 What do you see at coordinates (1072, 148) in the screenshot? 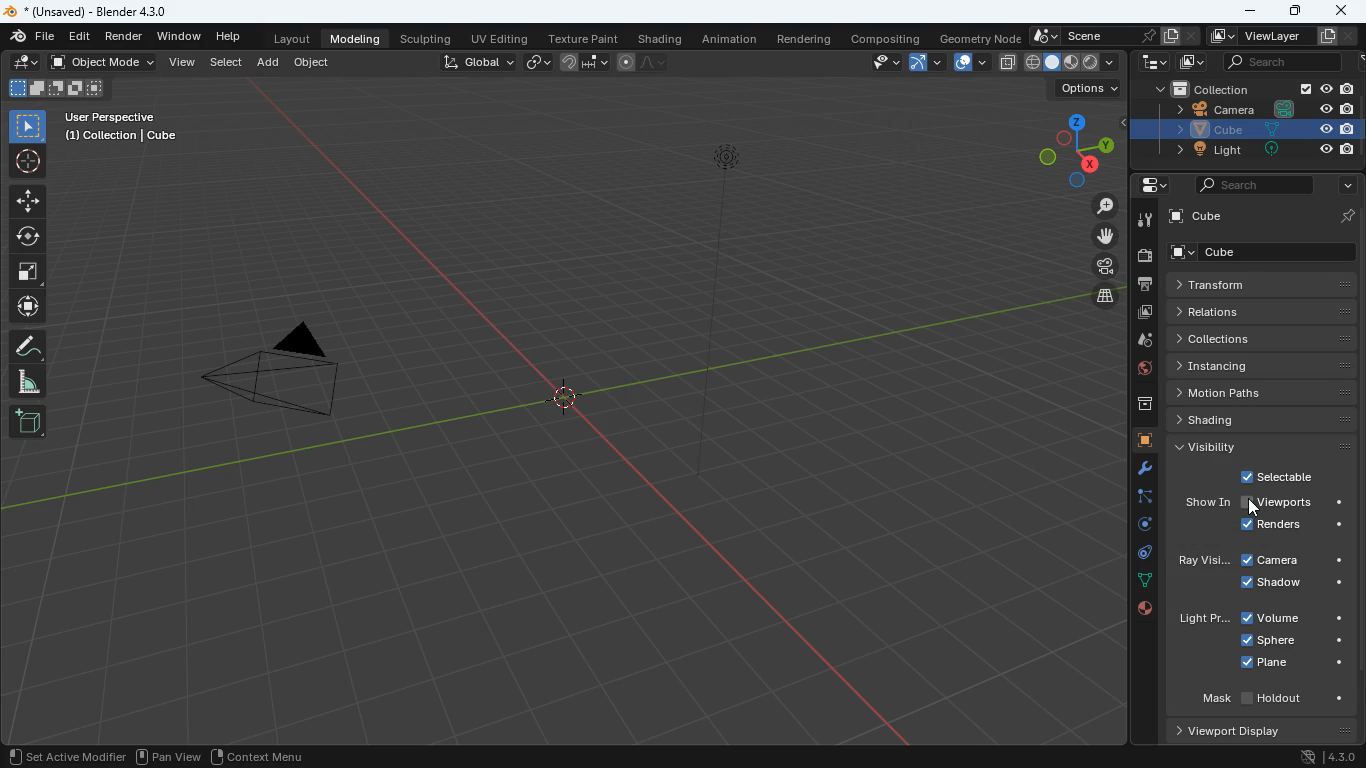
I see `dimensions` at bounding box center [1072, 148].